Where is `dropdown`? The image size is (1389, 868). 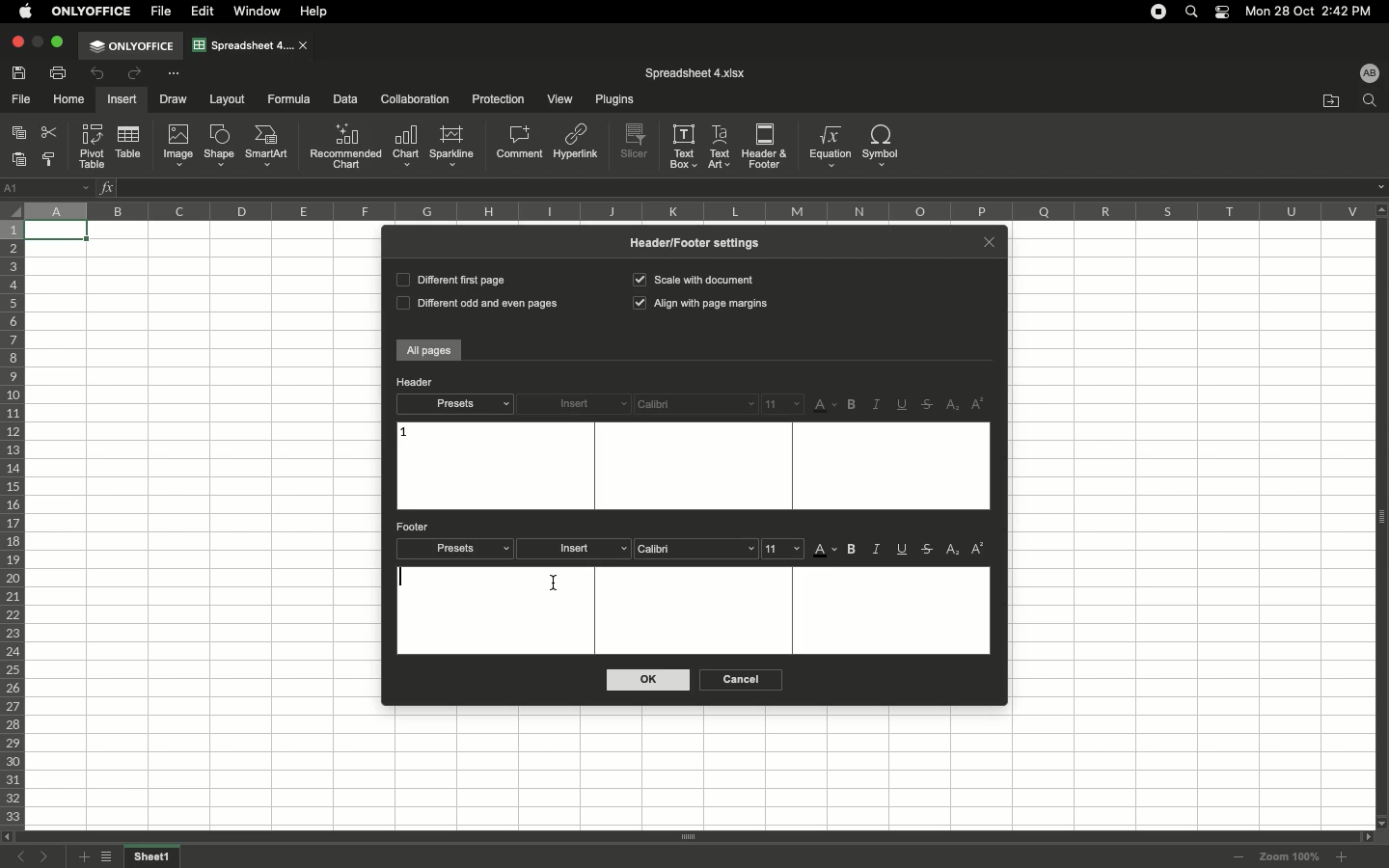 dropdown is located at coordinates (1380, 187).